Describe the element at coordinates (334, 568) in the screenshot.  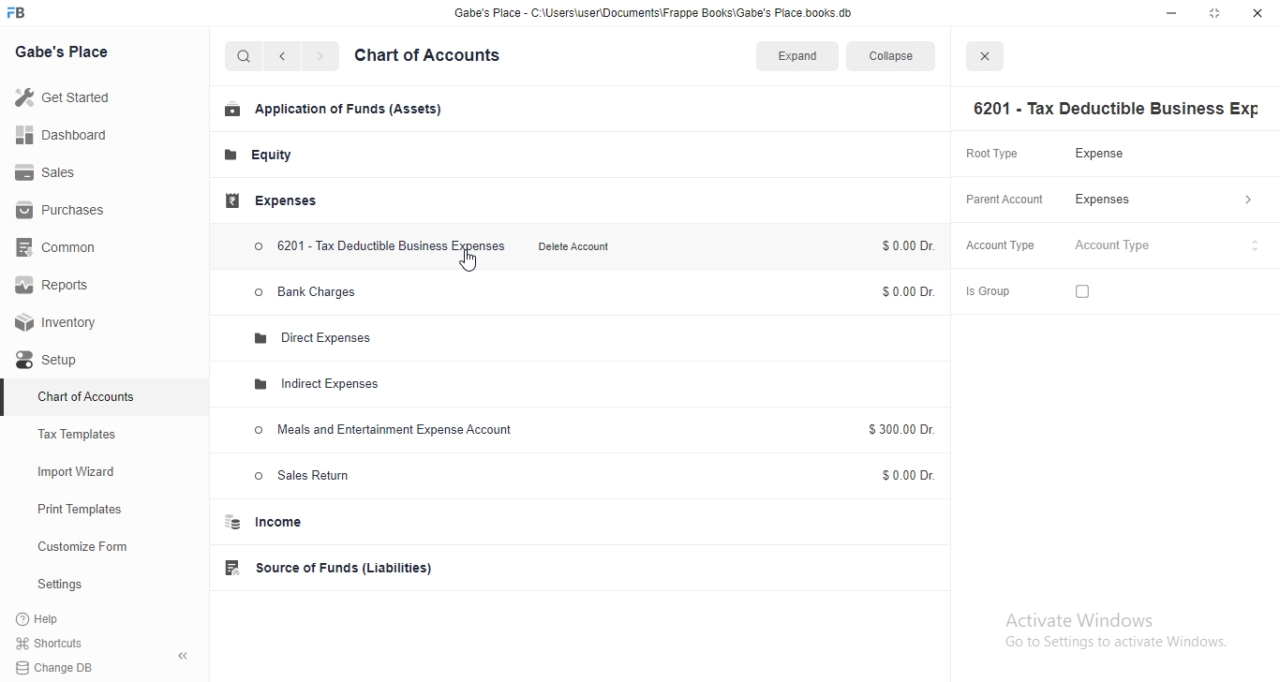
I see `Source of Funds (Liabilities)` at that location.